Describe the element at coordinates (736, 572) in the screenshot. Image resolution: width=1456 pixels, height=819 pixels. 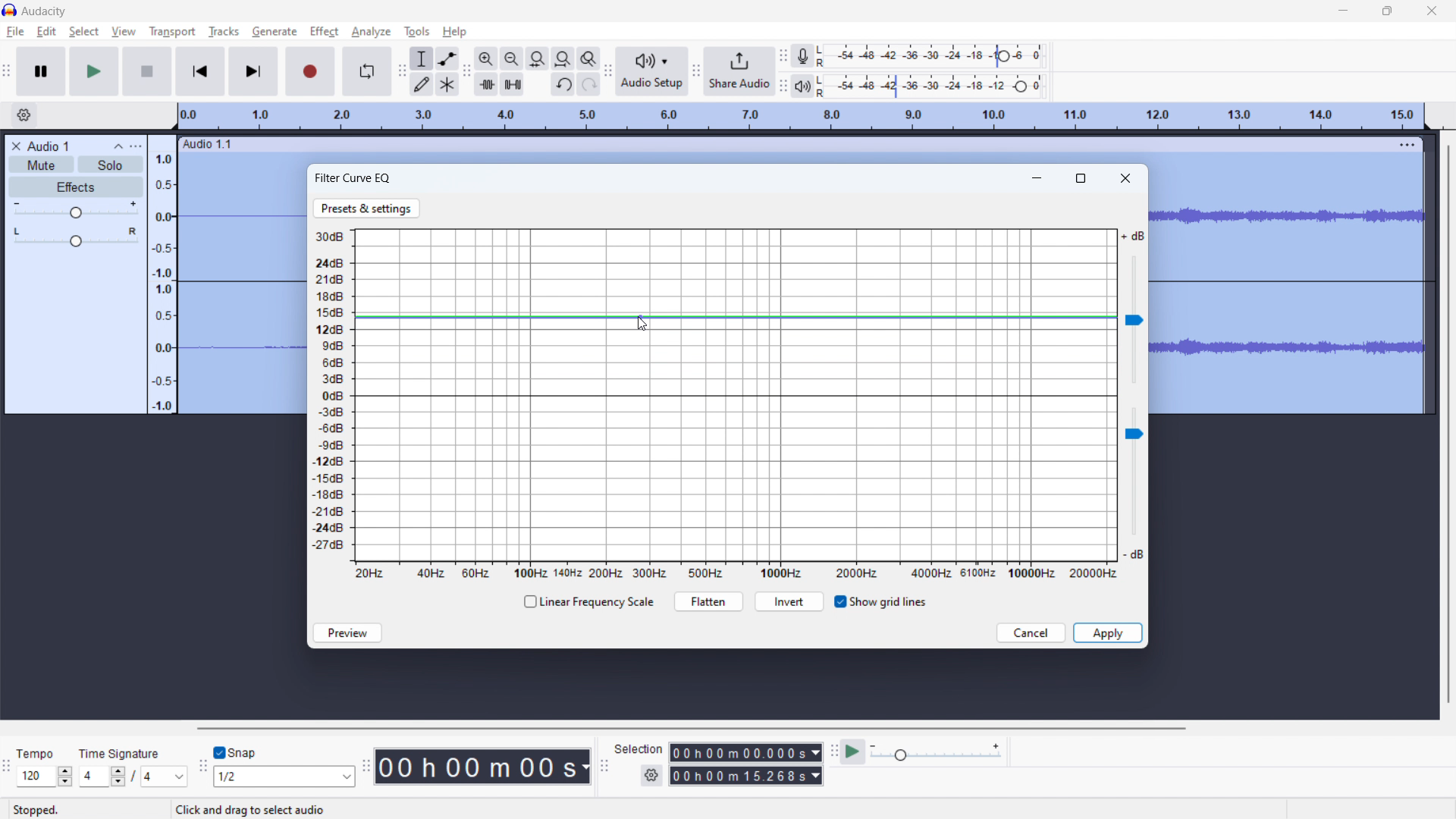
I see `frequency scale` at that location.